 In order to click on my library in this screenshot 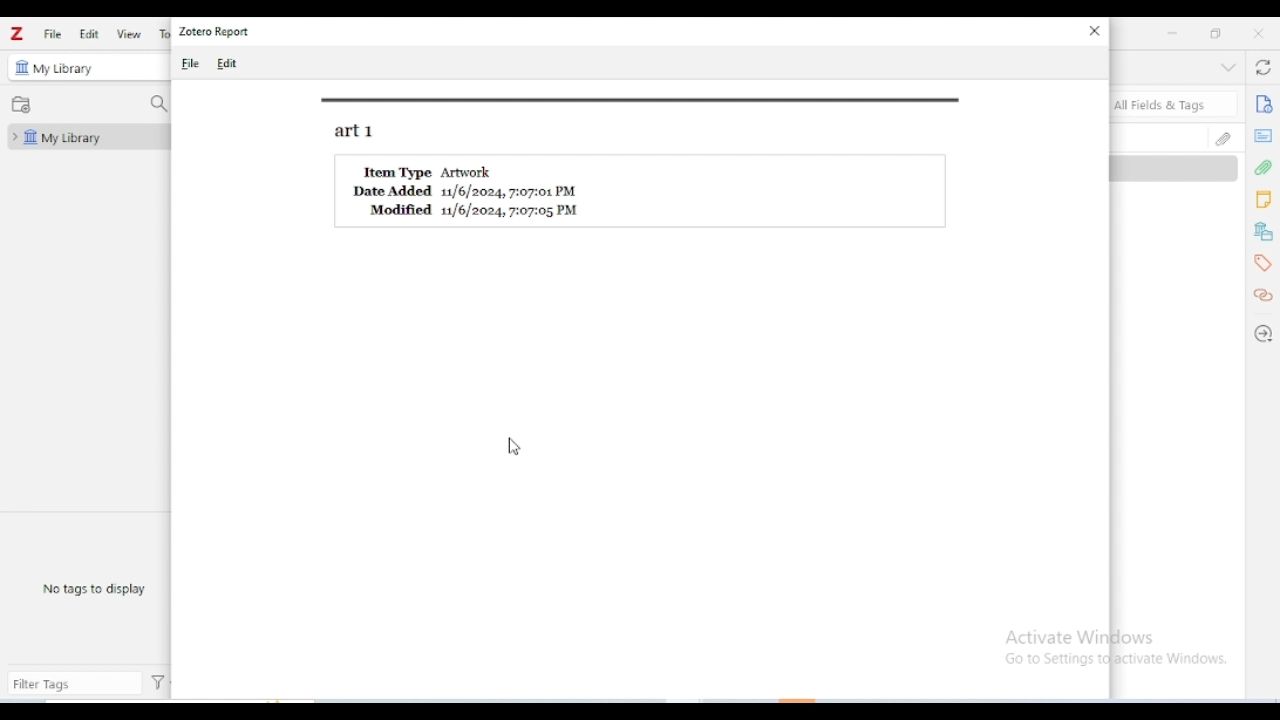, I will do `click(64, 69)`.